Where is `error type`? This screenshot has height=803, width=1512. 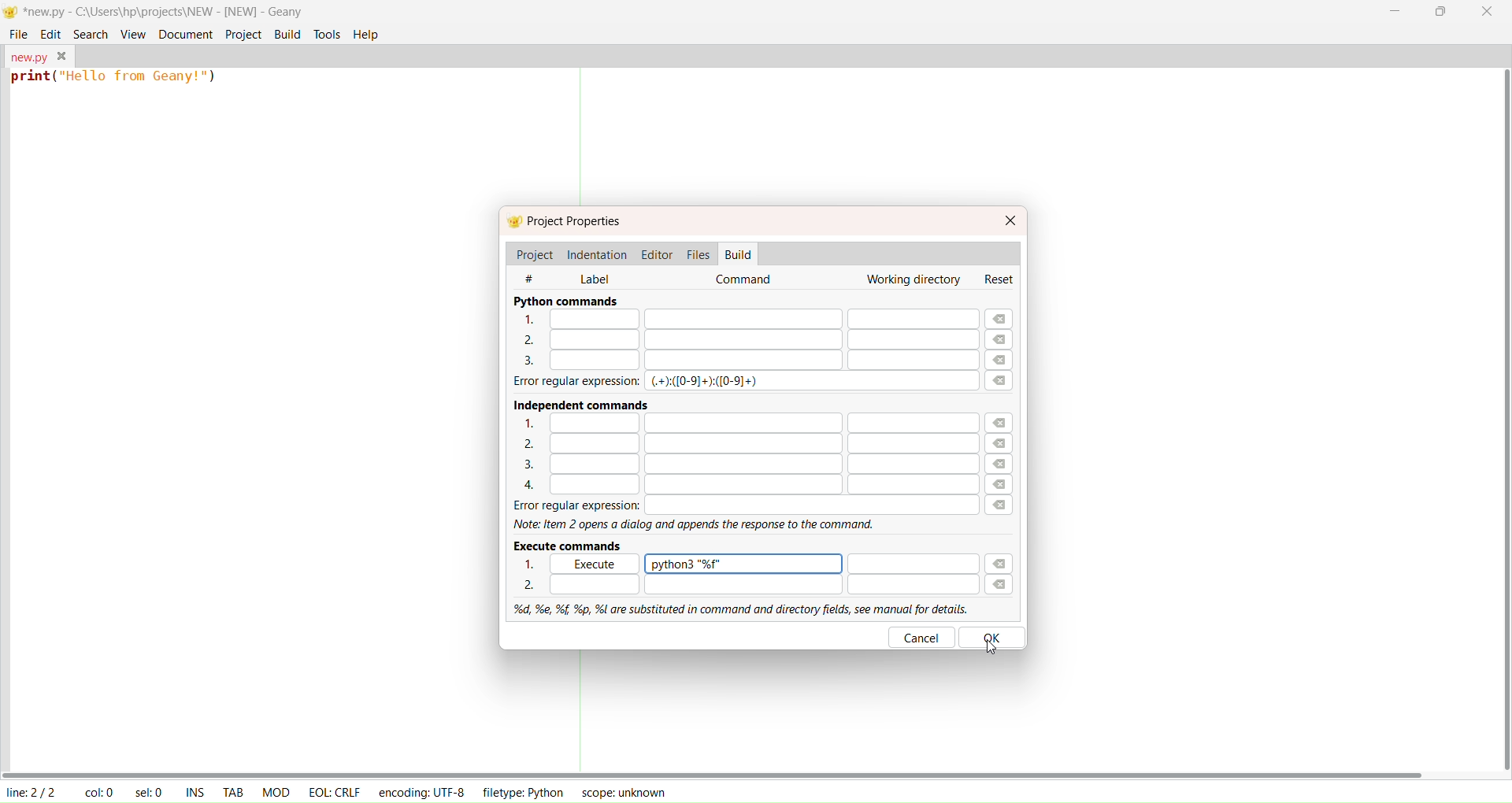 error type is located at coordinates (706, 382).